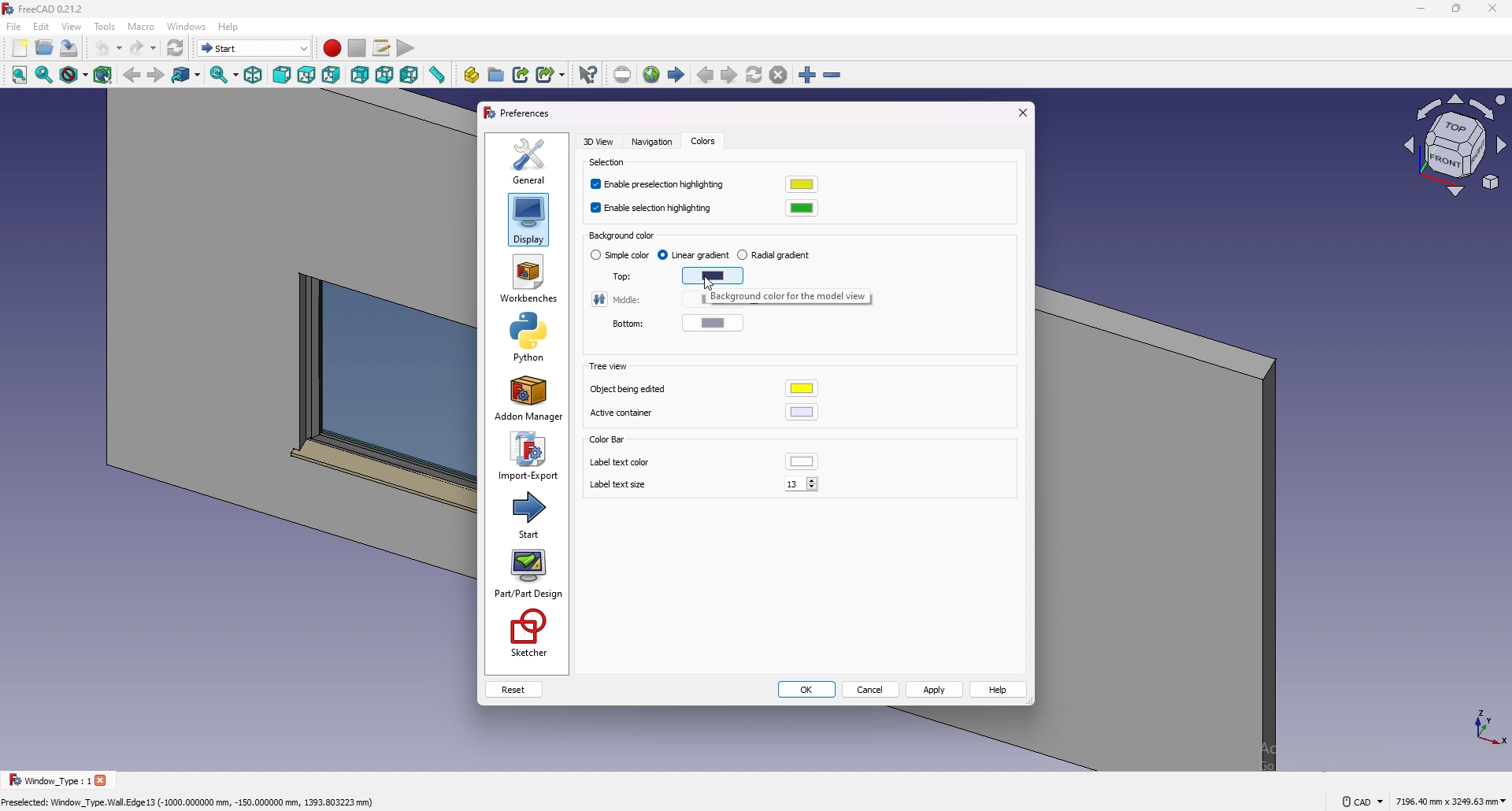  I want to click on tools, so click(105, 26).